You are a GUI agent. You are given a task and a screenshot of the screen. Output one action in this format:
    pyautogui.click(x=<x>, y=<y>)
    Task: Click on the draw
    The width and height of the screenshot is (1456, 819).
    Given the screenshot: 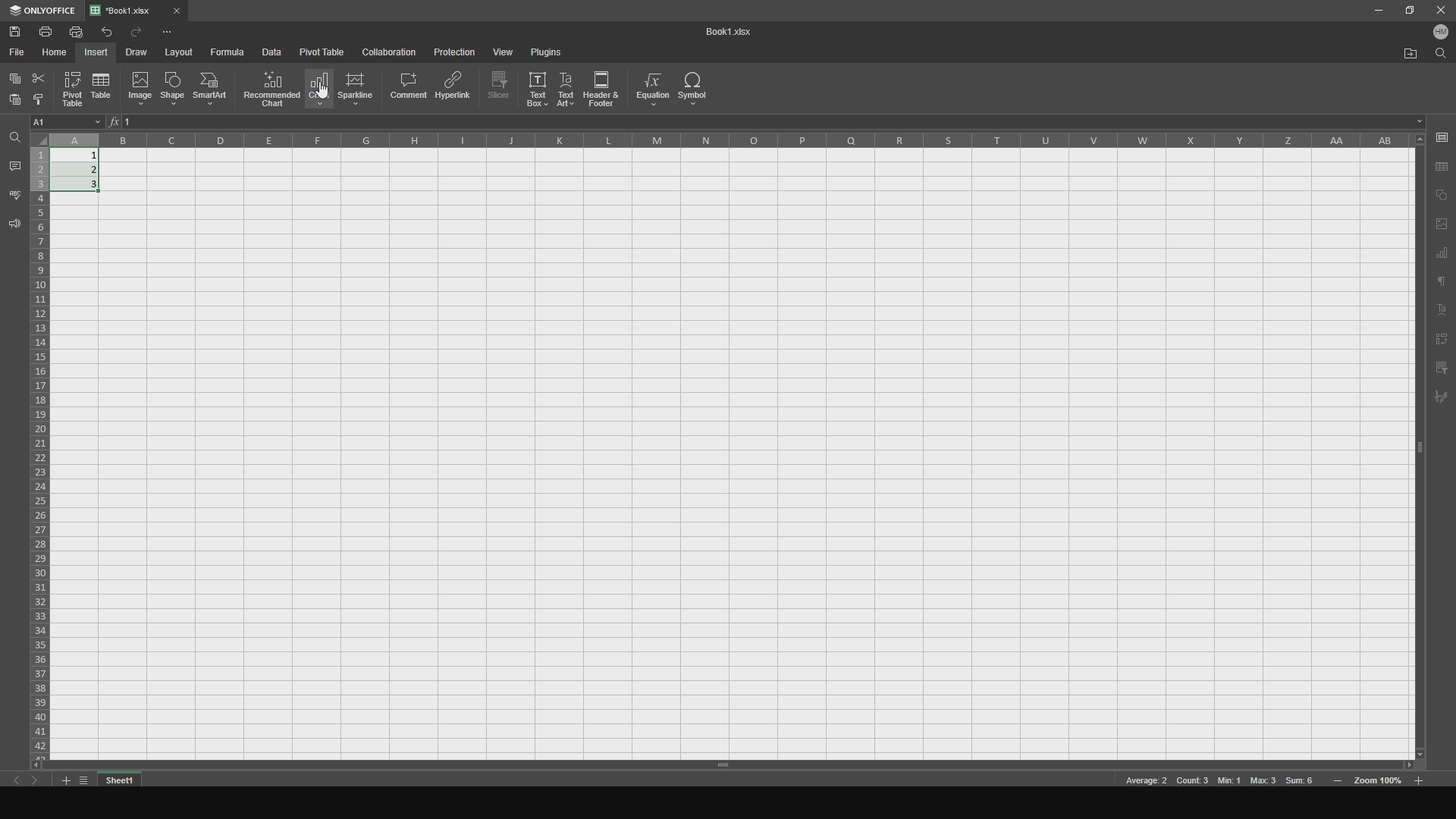 What is the action you would take?
    pyautogui.click(x=141, y=52)
    